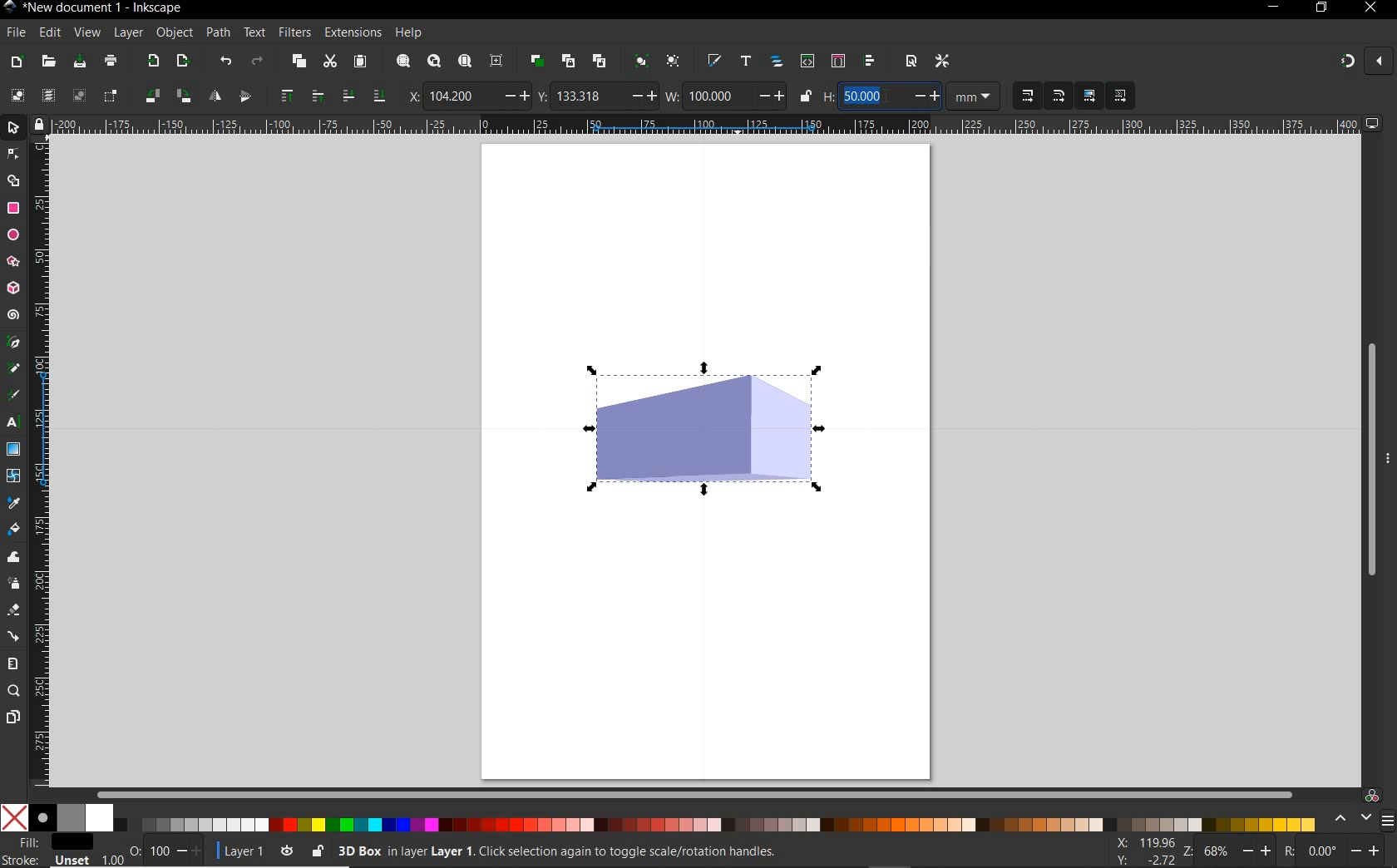 Image resolution: width=1397 pixels, height=868 pixels. What do you see at coordinates (777, 60) in the screenshot?
I see `open objects` at bounding box center [777, 60].